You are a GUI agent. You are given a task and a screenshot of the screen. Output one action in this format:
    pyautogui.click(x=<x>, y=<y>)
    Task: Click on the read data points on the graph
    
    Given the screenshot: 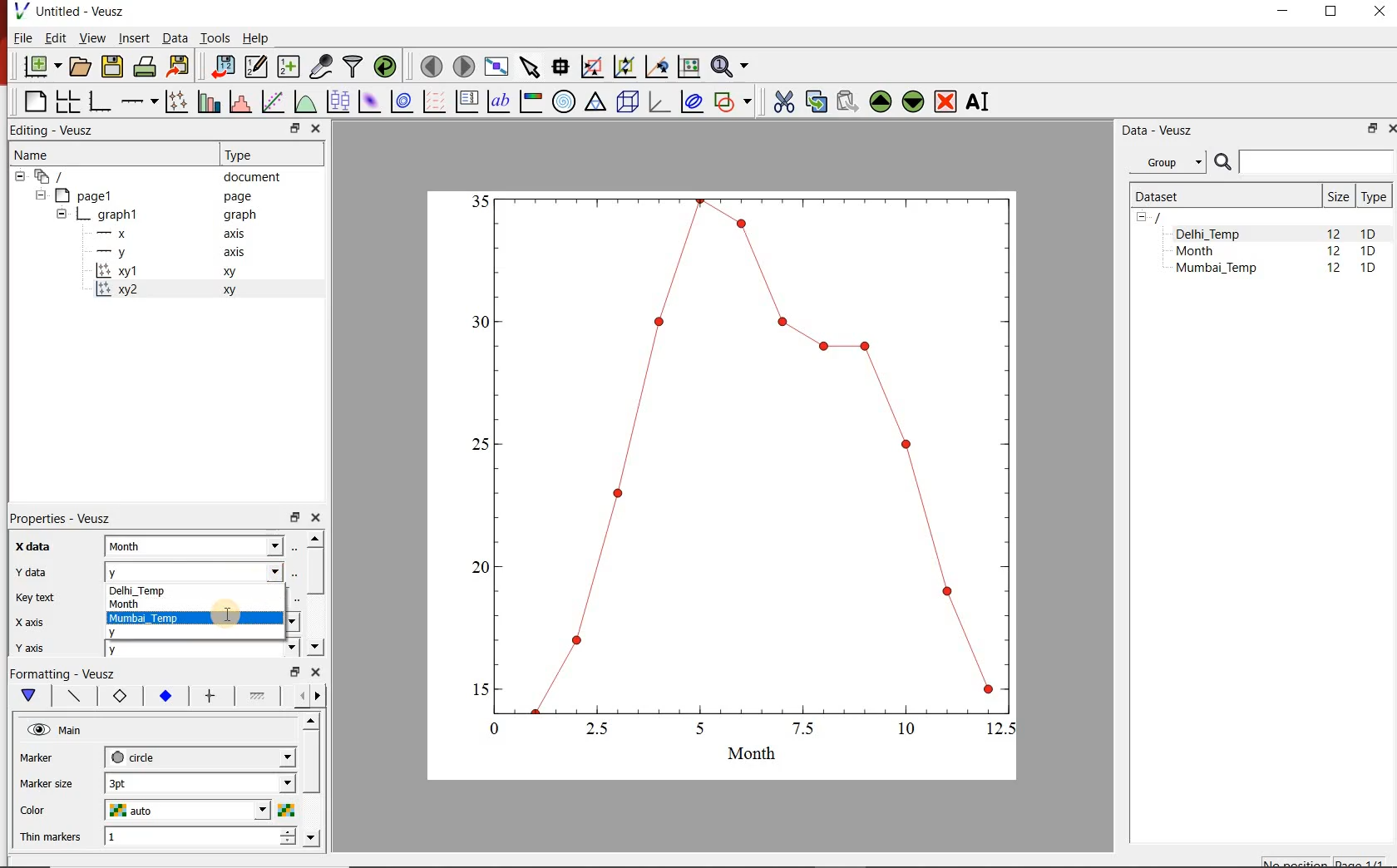 What is the action you would take?
    pyautogui.click(x=560, y=67)
    